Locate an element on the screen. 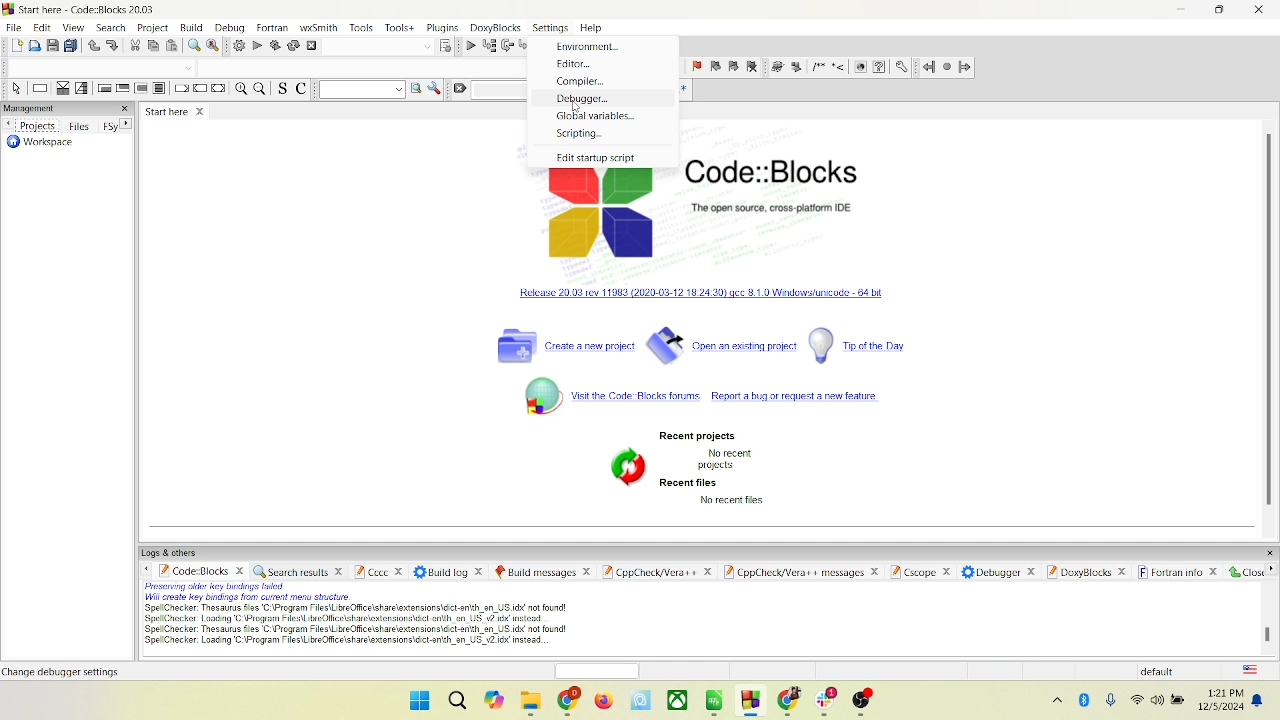 The height and width of the screenshot is (720, 1280). toggle bookmark is located at coordinates (697, 65).